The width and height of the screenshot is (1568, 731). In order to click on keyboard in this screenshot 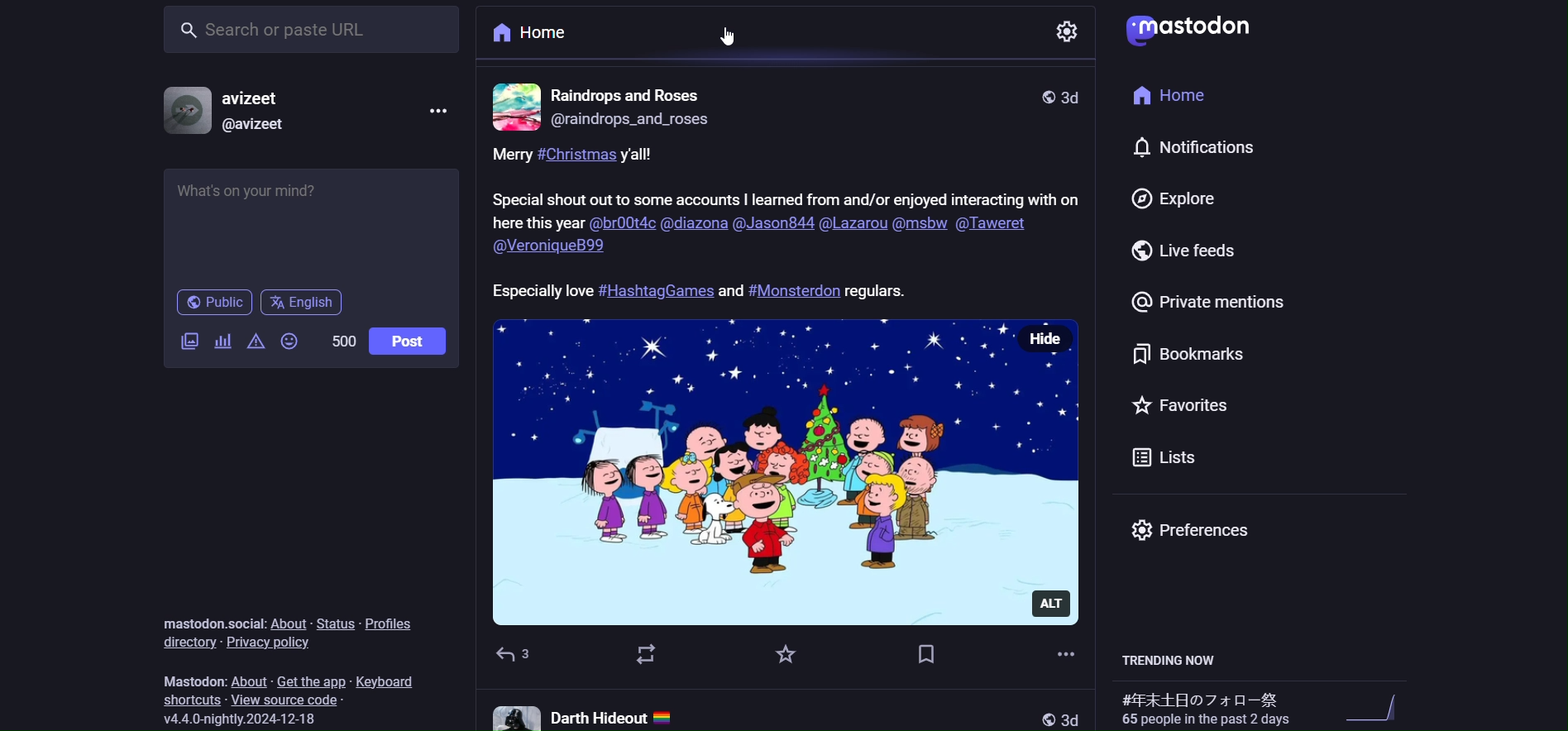, I will do `click(389, 681)`.